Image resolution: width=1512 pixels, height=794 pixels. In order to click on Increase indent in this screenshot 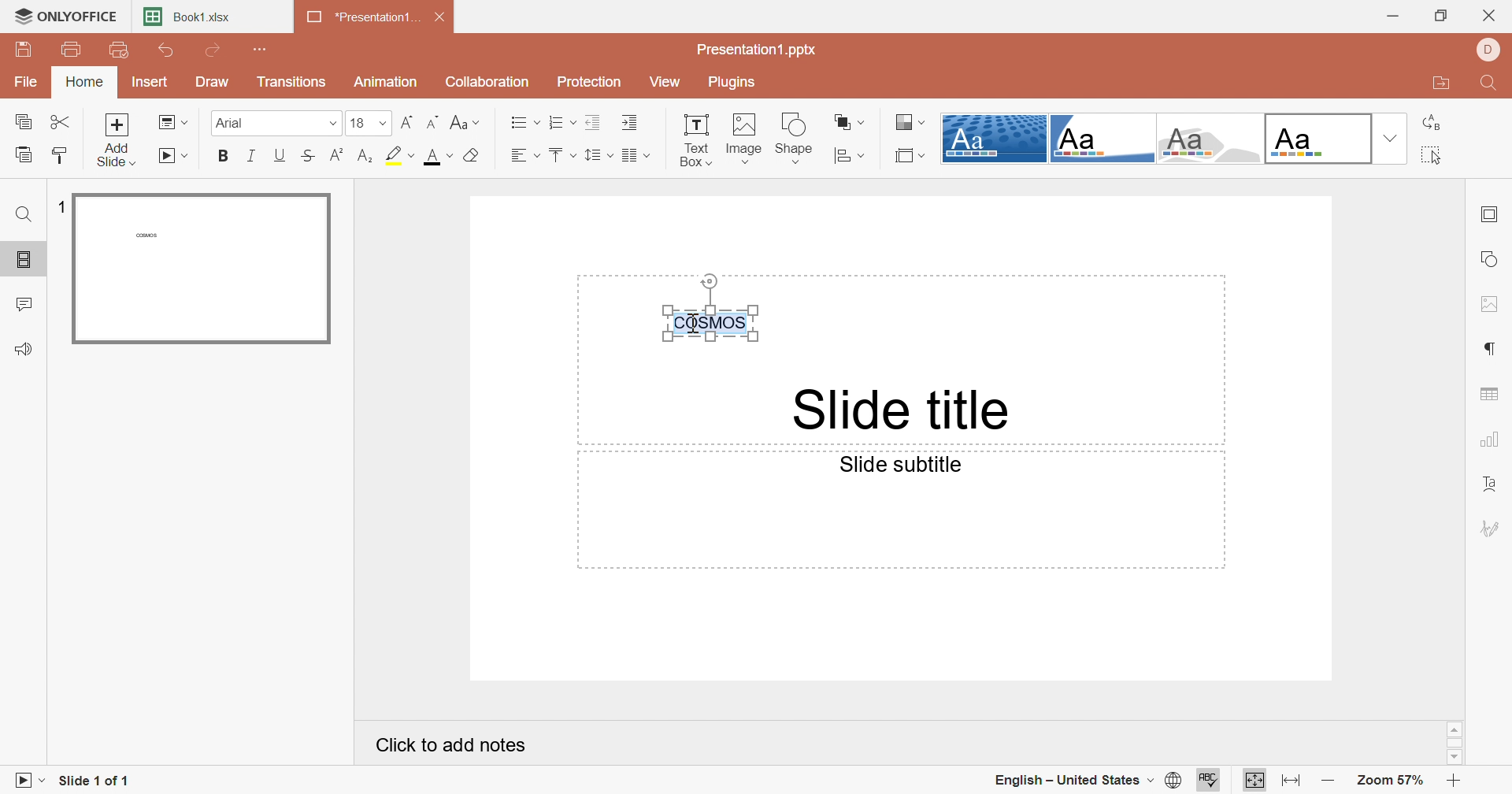, I will do `click(627, 122)`.